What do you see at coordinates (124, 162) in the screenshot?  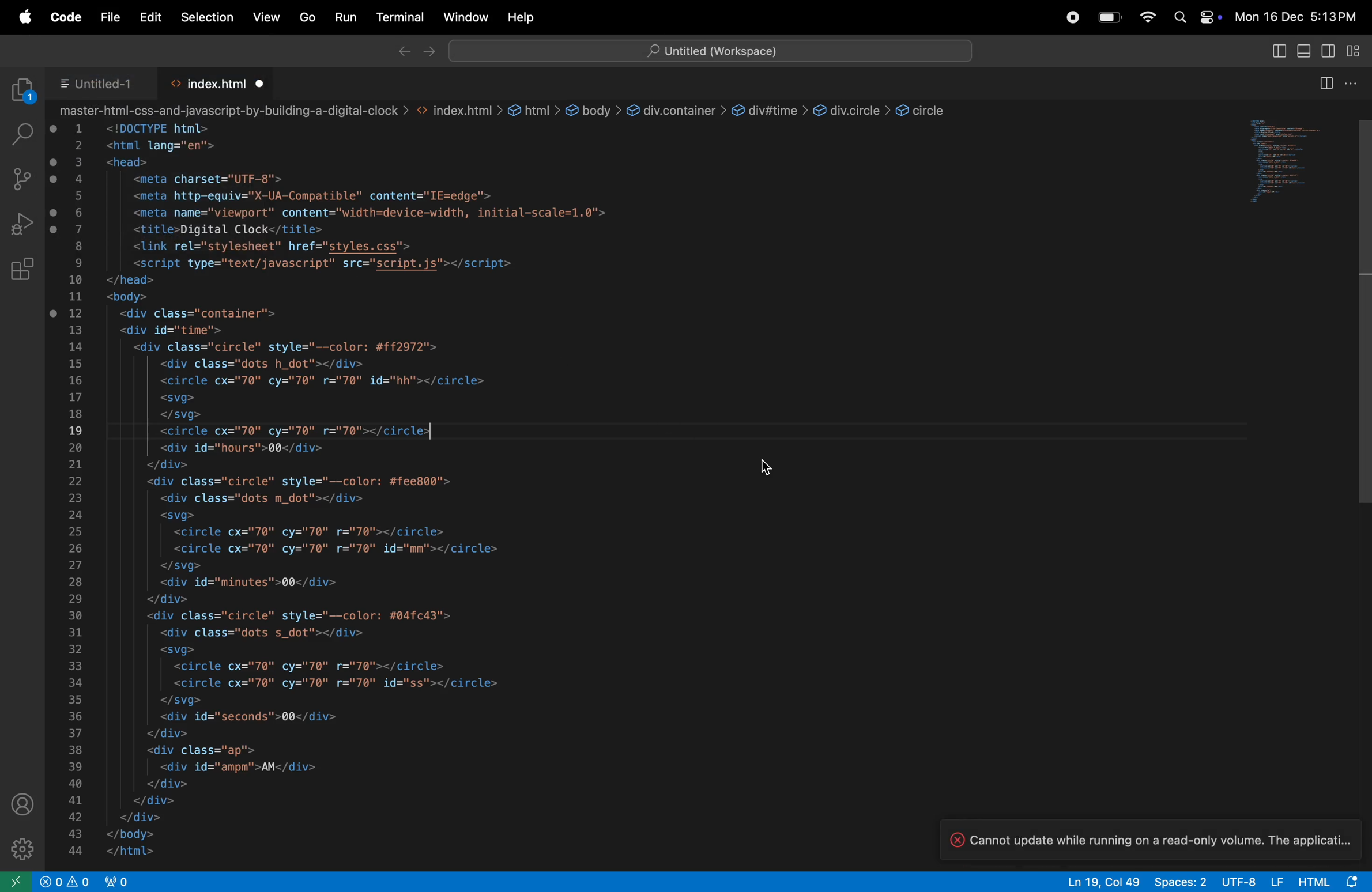 I see `<head>` at bounding box center [124, 162].